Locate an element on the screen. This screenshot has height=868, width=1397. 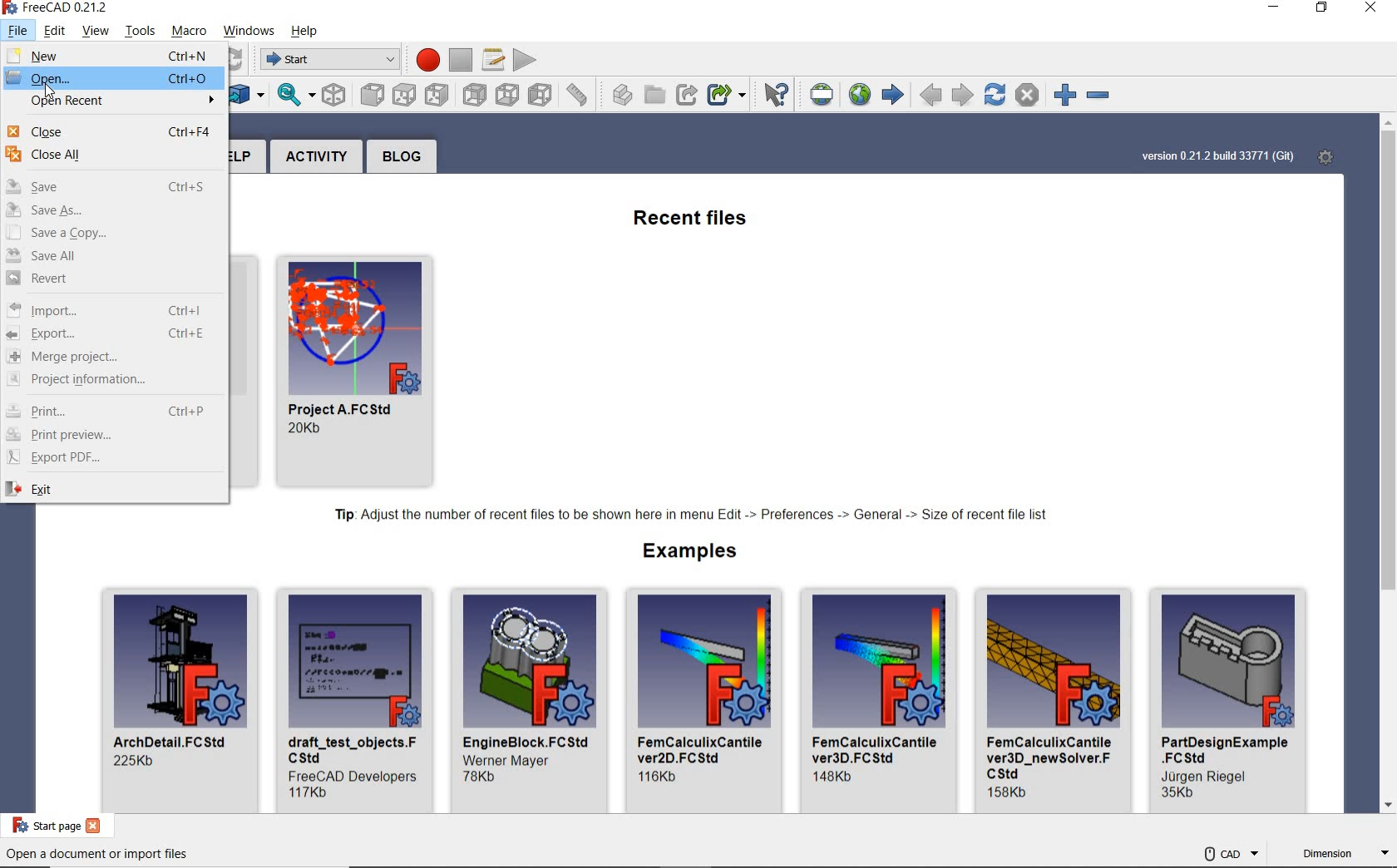
NEW is located at coordinates (65, 56).